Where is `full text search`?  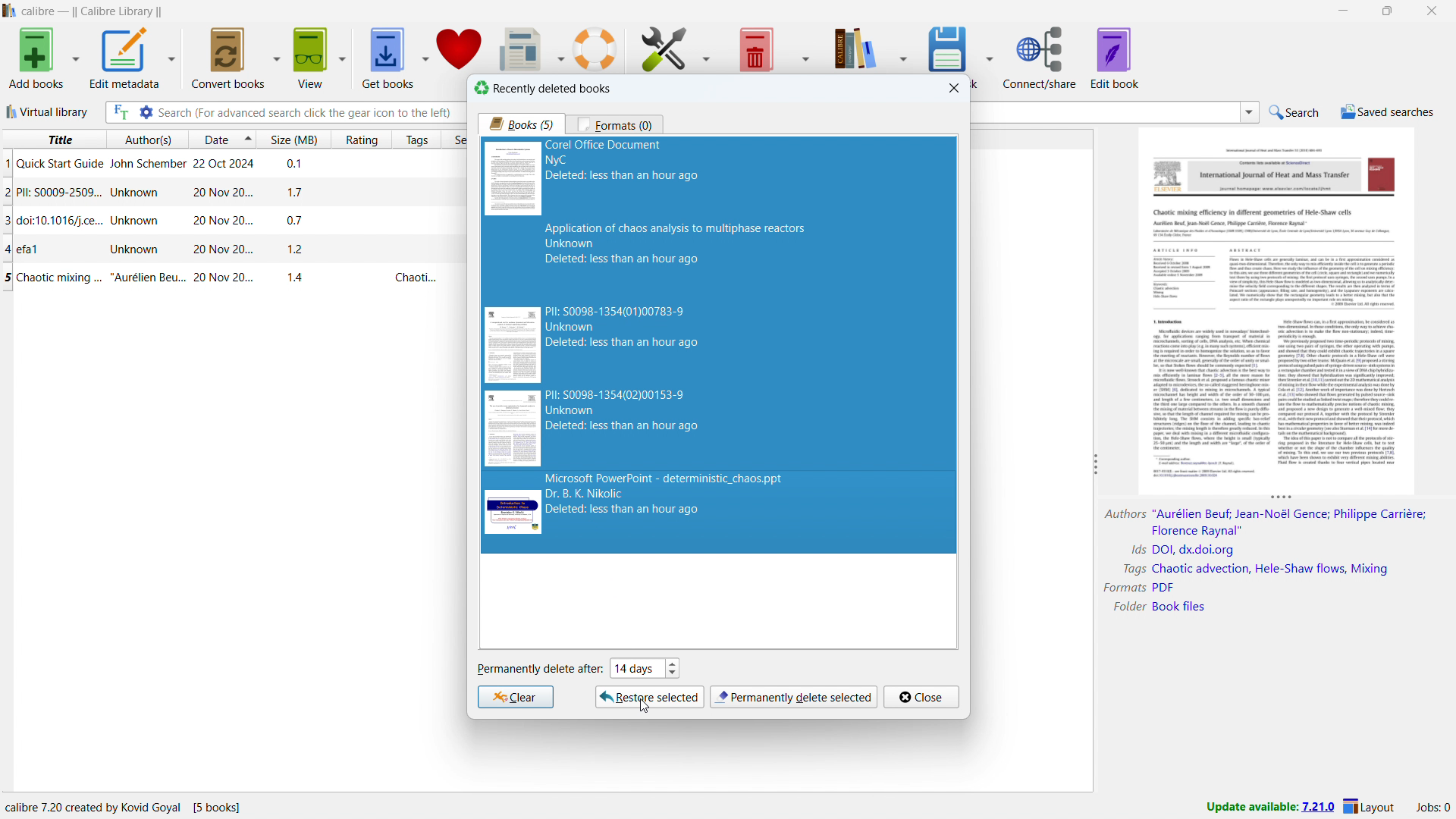 full text search is located at coordinates (120, 111).